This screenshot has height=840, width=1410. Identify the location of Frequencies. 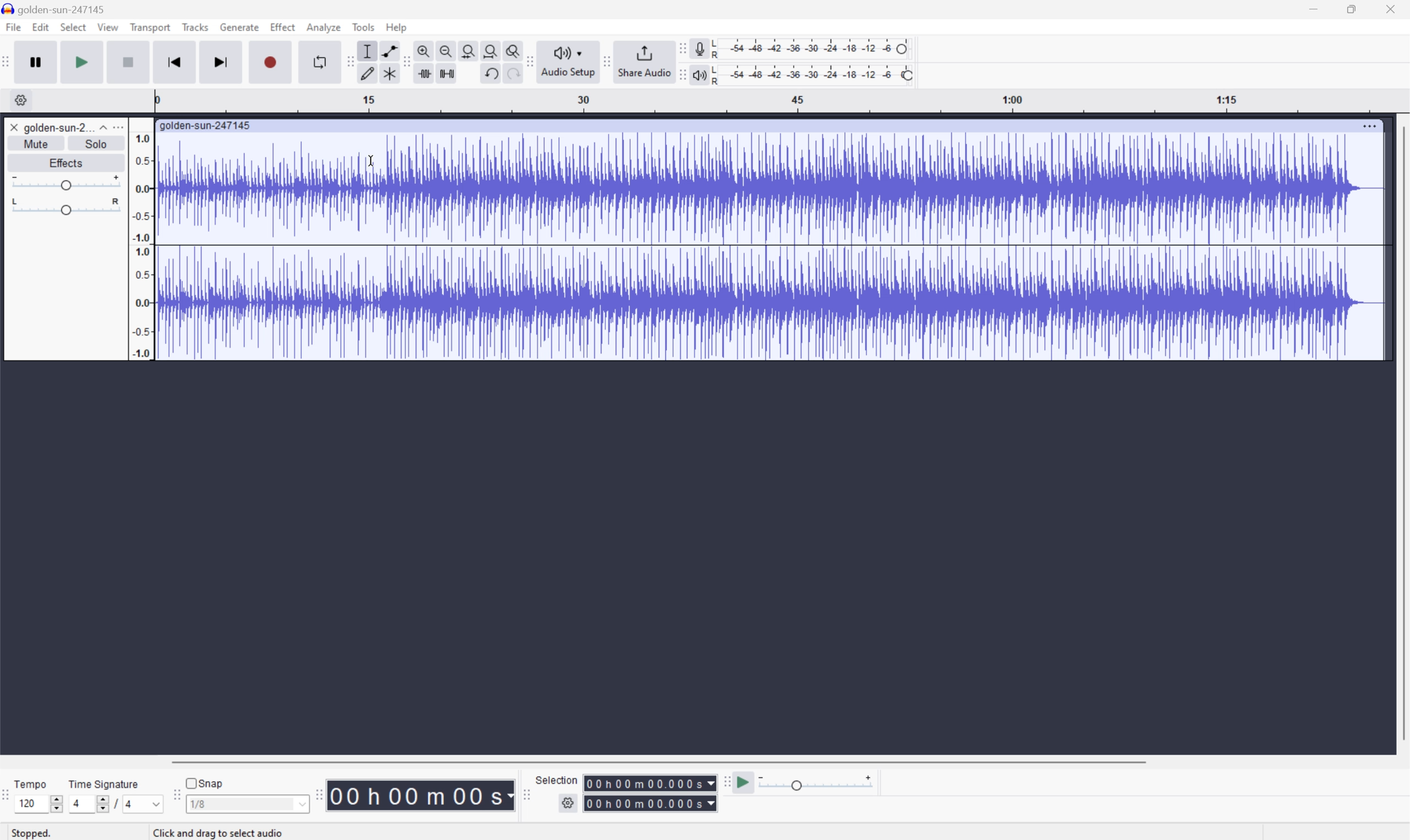
(141, 246).